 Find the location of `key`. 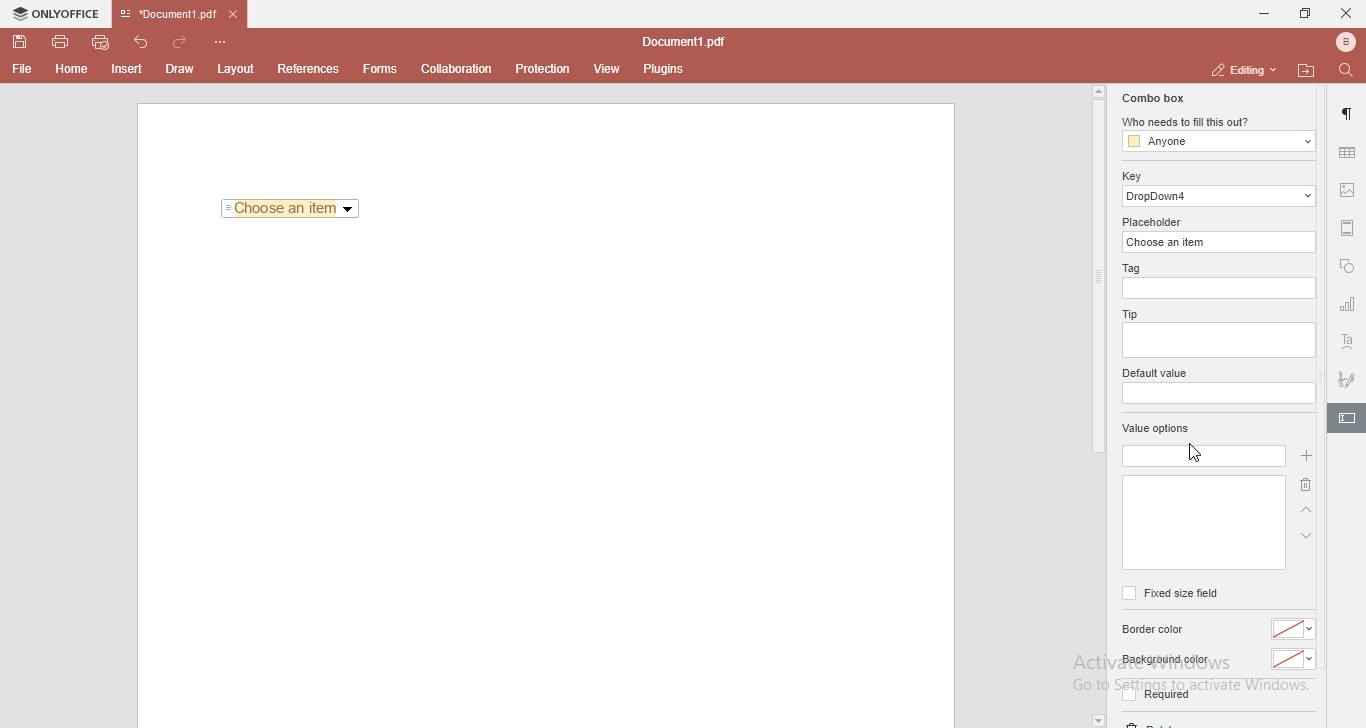

key is located at coordinates (1131, 176).